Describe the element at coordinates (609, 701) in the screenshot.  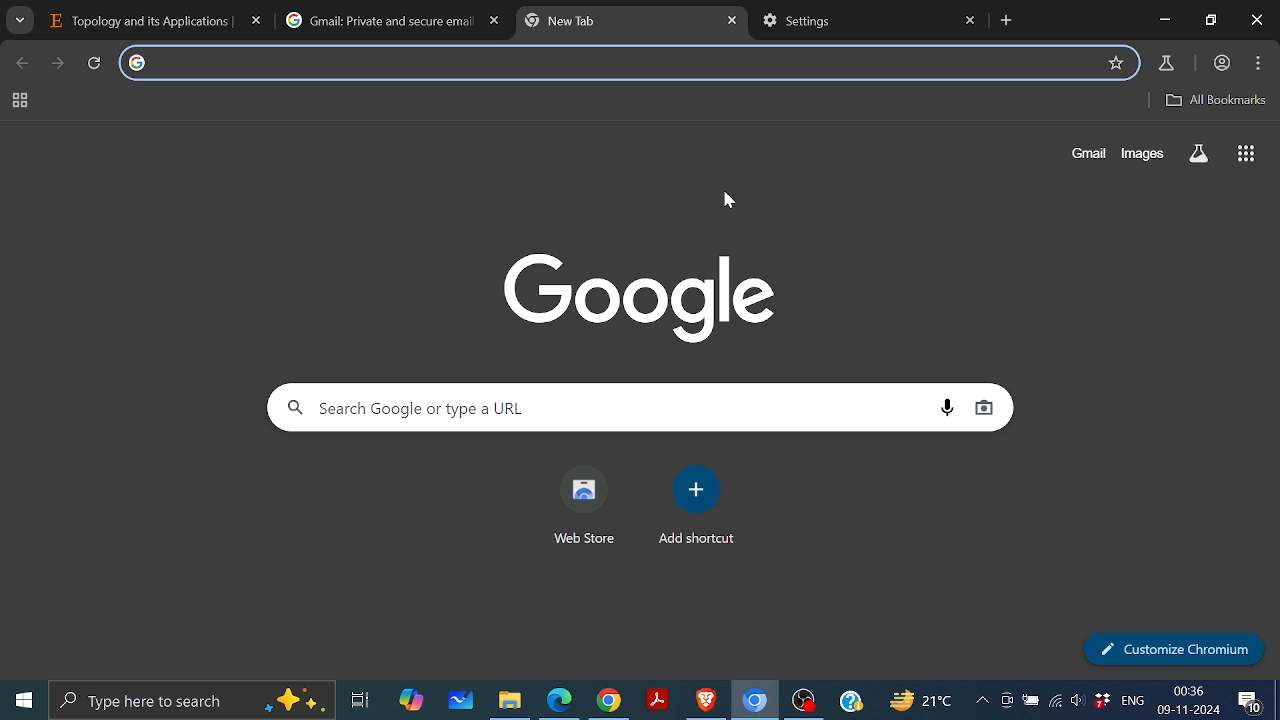
I see `google chrome` at that location.